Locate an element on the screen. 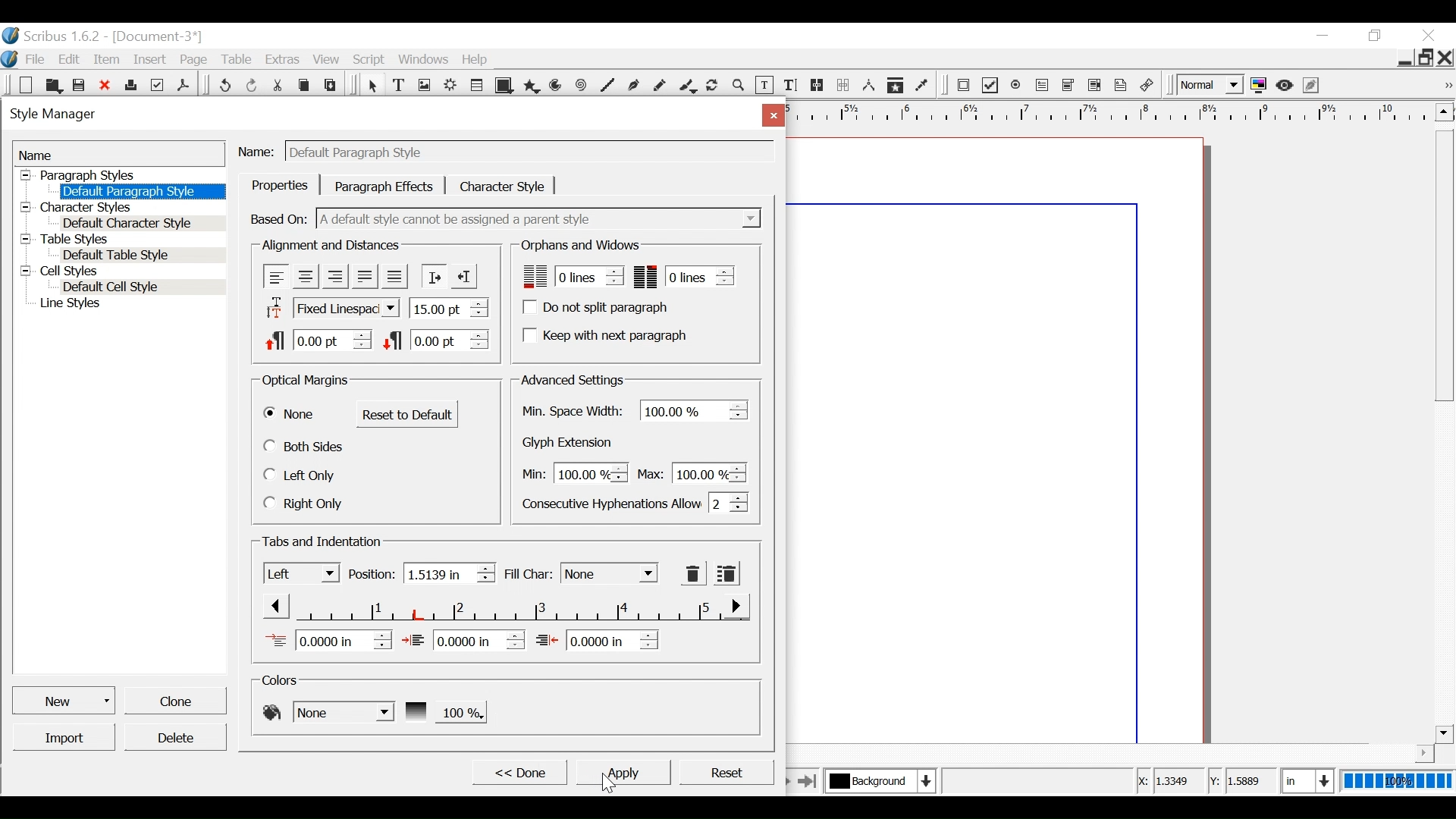 The image size is (1456, 819). Spiral is located at coordinates (582, 86).